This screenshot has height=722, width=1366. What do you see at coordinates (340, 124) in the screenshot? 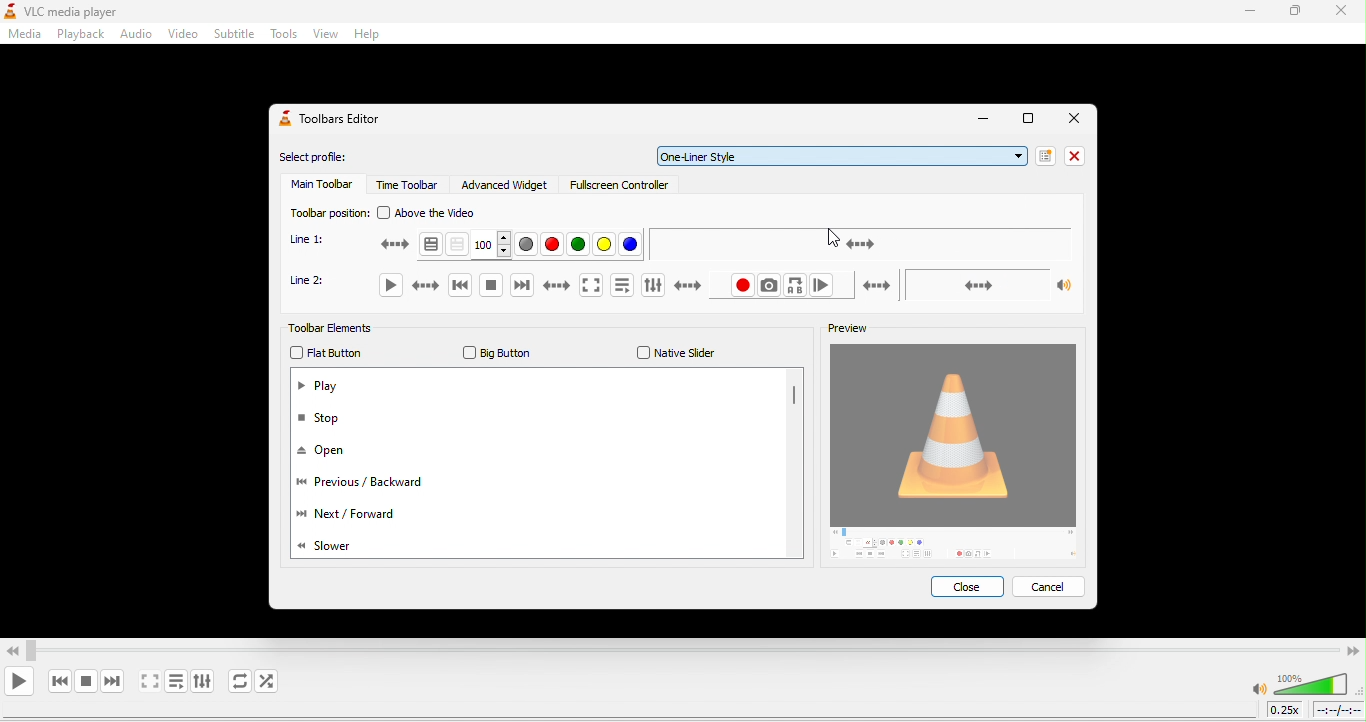
I see `toolbars editor` at bounding box center [340, 124].